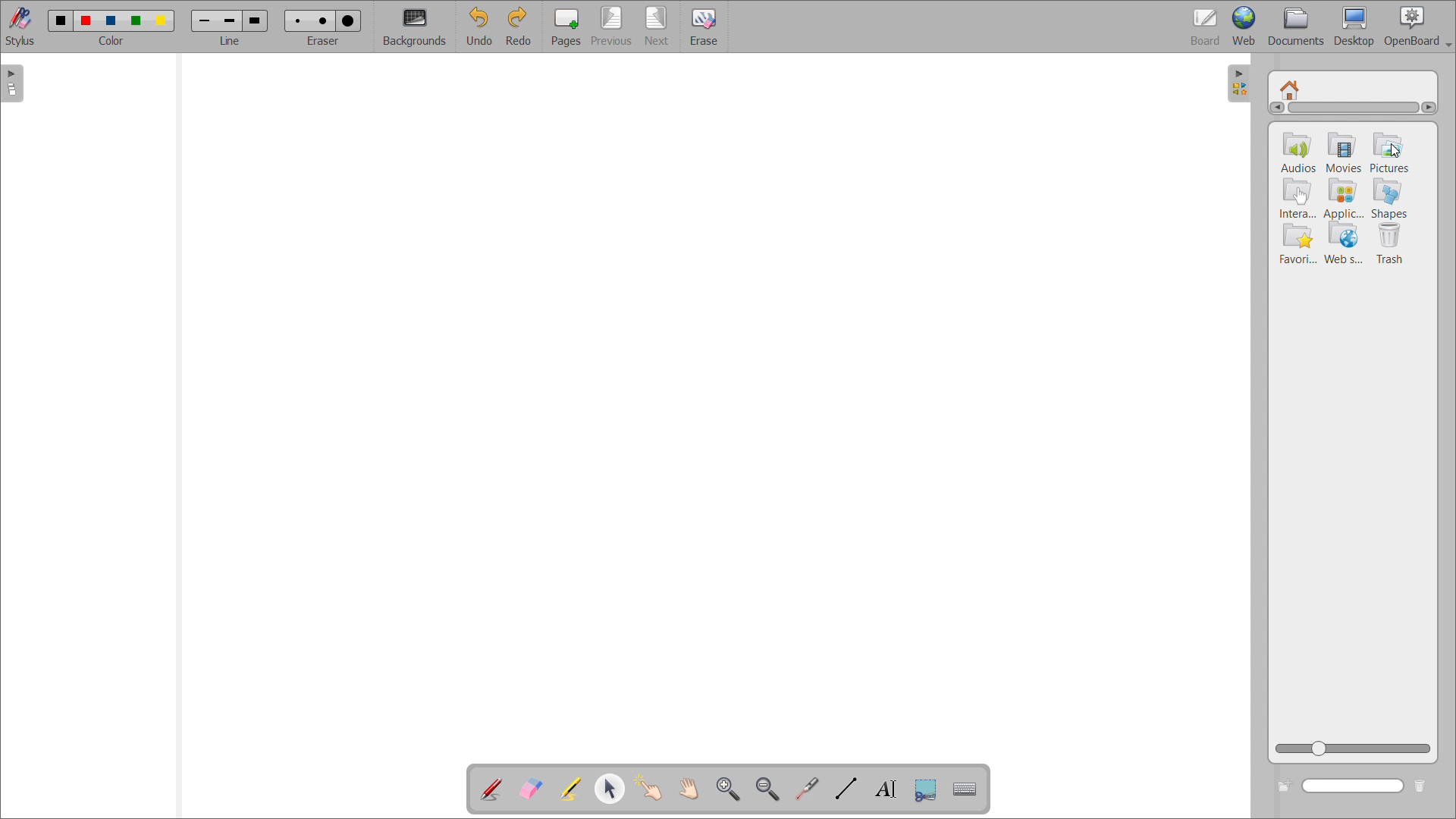 This screenshot has height=819, width=1456. What do you see at coordinates (492, 789) in the screenshot?
I see `add annotation` at bounding box center [492, 789].